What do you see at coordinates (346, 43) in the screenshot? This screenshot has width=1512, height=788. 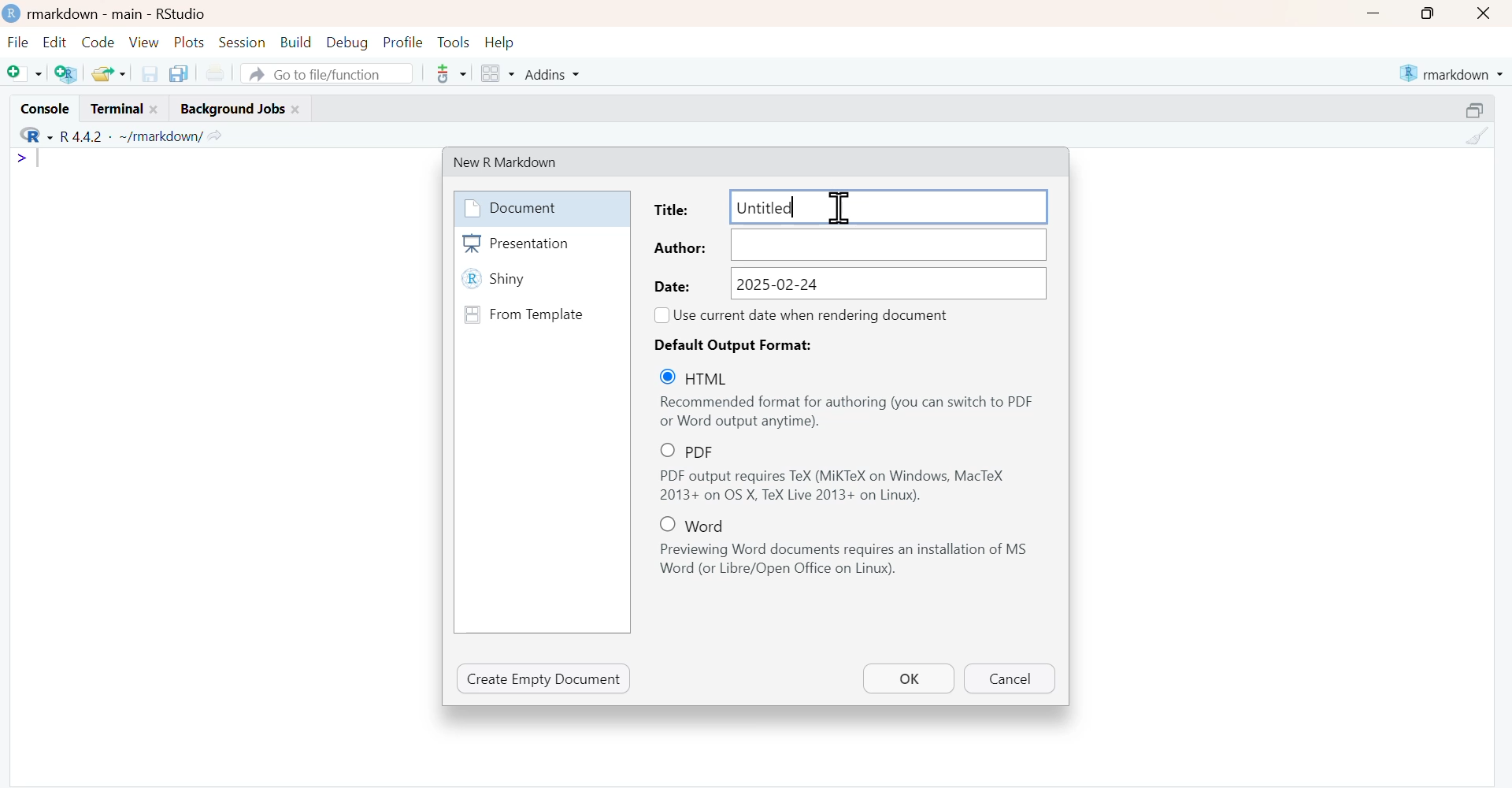 I see `Debug` at bounding box center [346, 43].